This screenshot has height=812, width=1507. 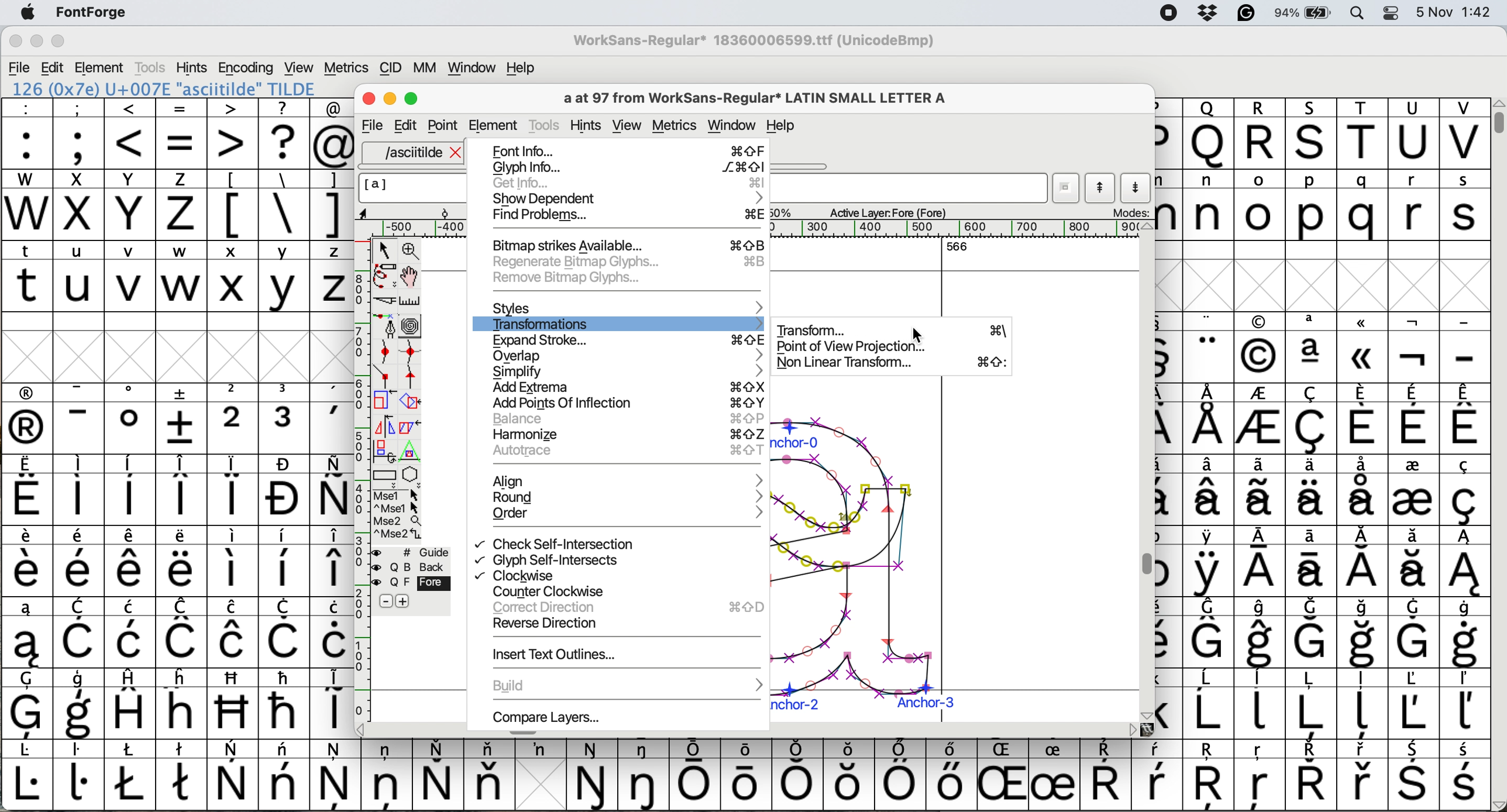 What do you see at coordinates (886, 212) in the screenshot?
I see `active layer` at bounding box center [886, 212].